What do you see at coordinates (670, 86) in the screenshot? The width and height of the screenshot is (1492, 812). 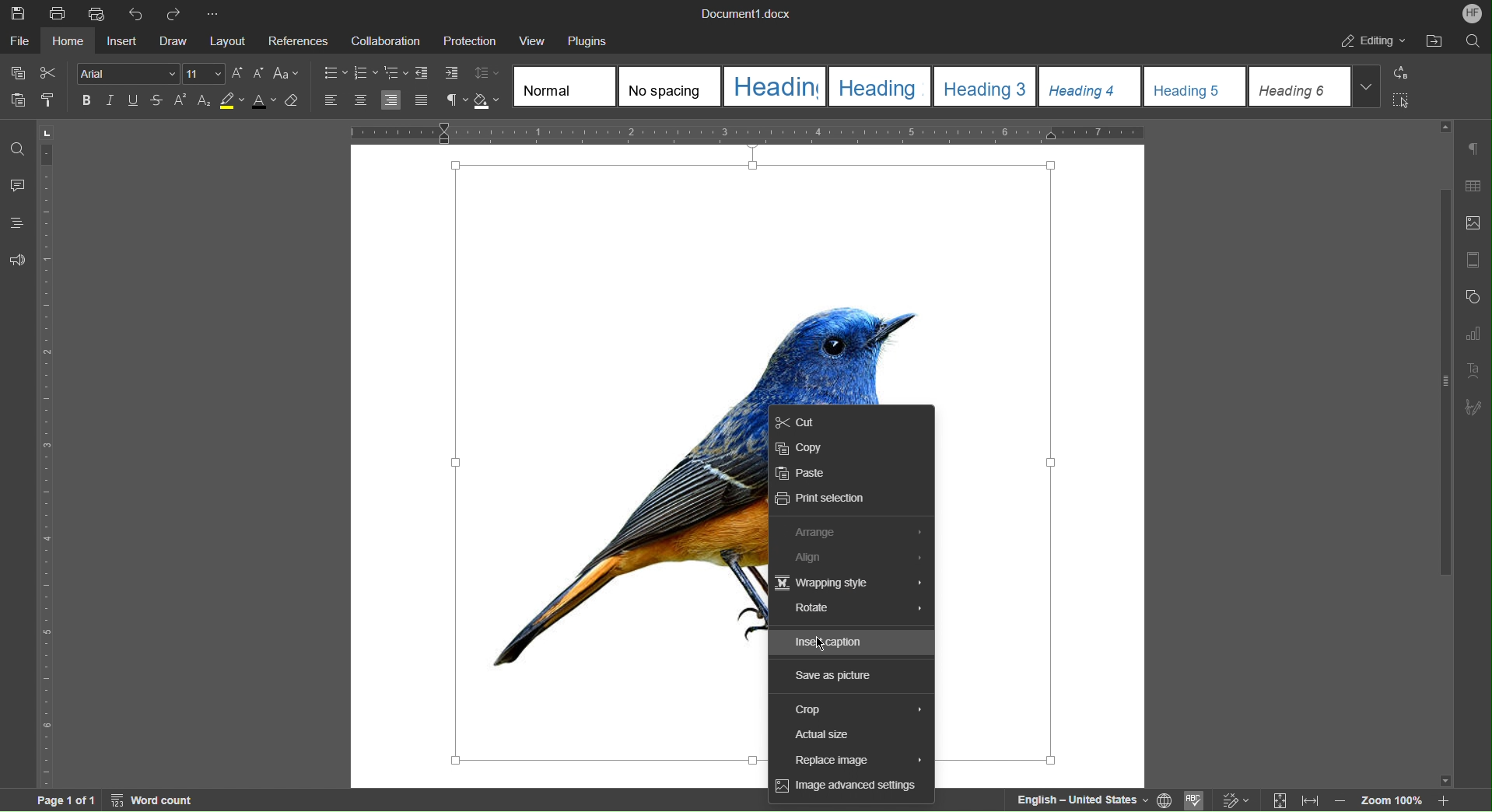 I see `No spacing ` at bounding box center [670, 86].